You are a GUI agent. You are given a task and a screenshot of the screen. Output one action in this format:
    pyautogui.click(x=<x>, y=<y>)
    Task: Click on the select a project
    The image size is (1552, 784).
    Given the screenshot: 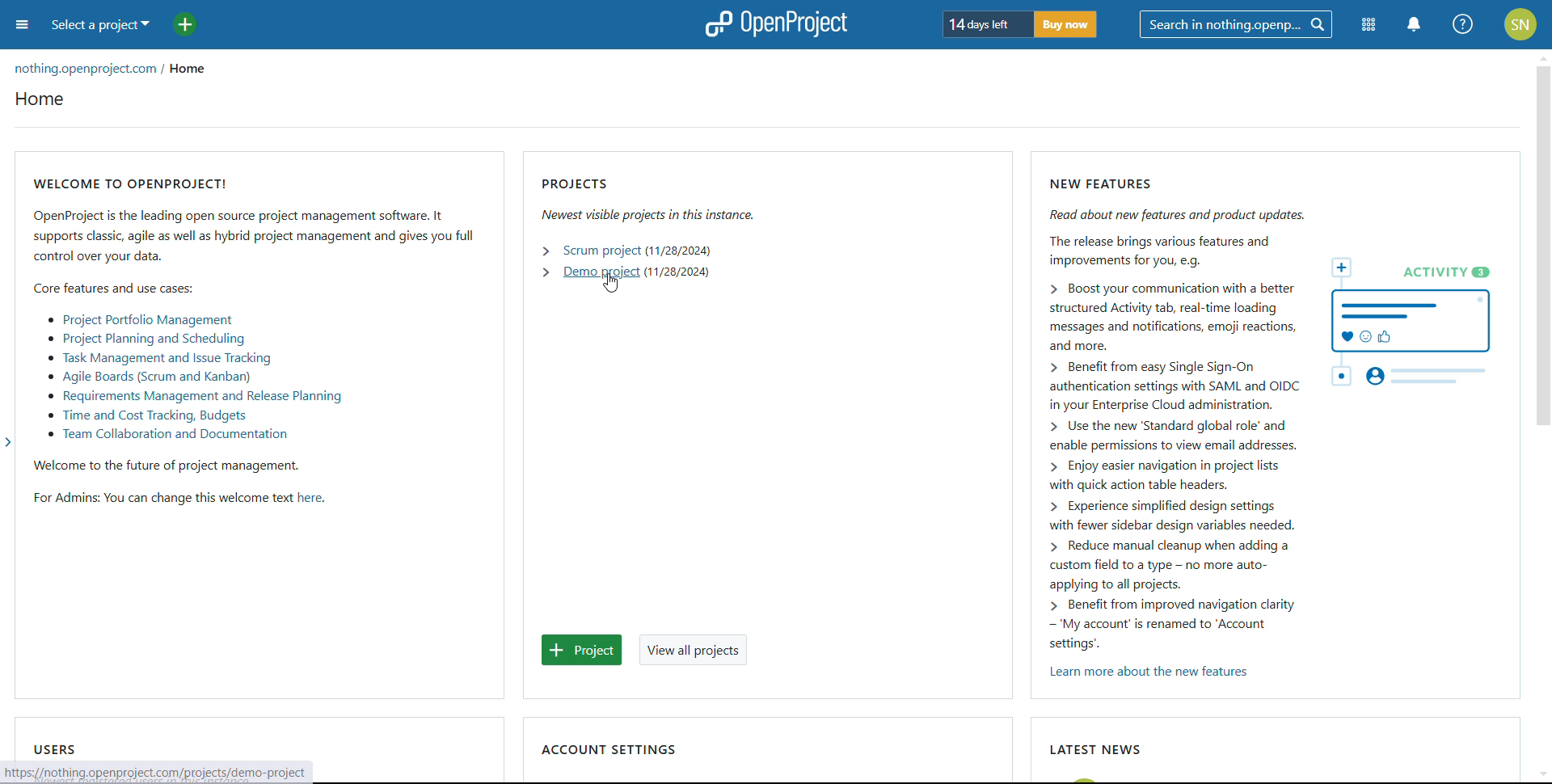 What is the action you would take?
    pyautogui.click(x=99, y=25)
    